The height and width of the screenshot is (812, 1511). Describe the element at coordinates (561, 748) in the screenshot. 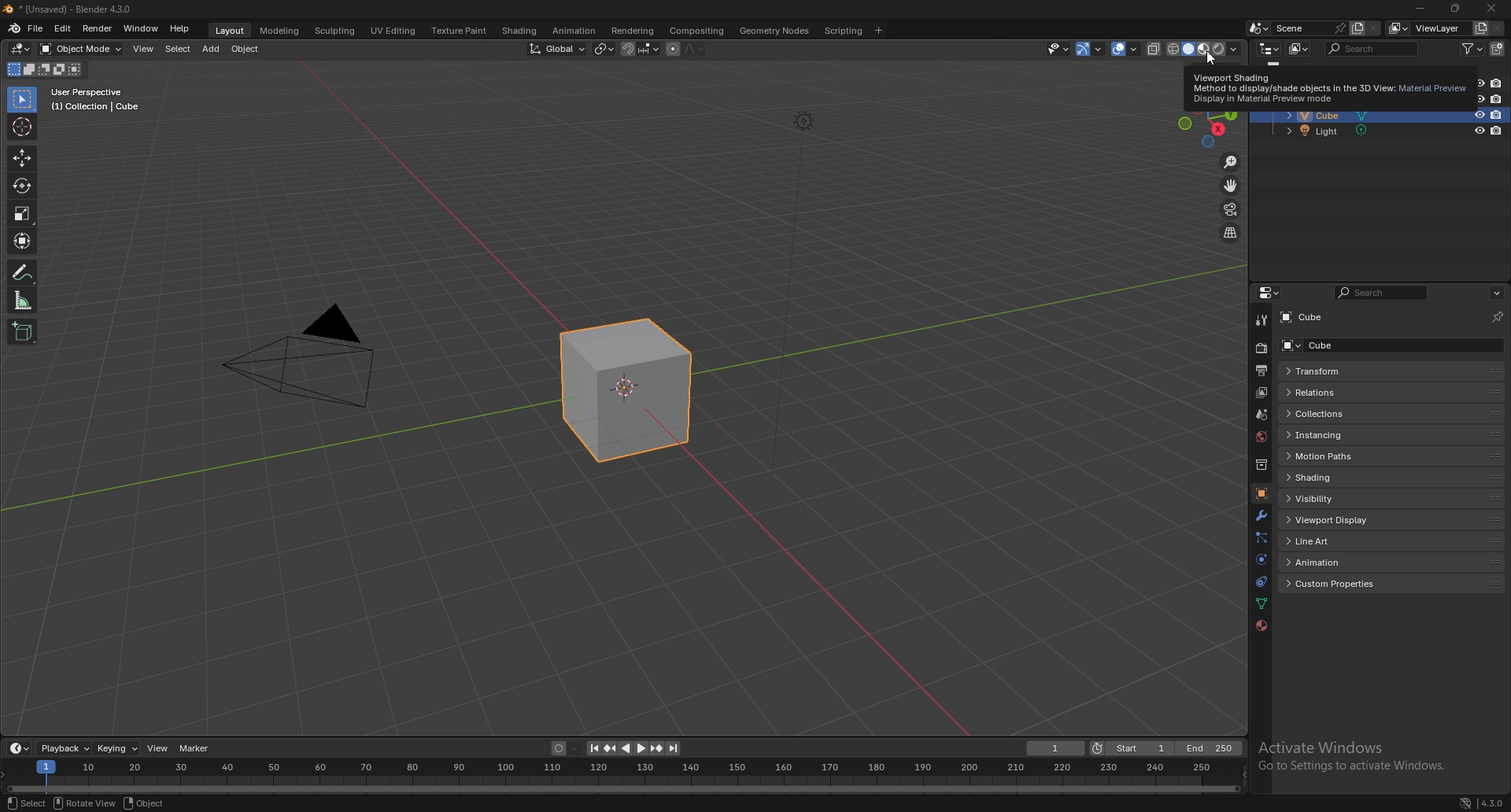

I see `auto keying` at that location.